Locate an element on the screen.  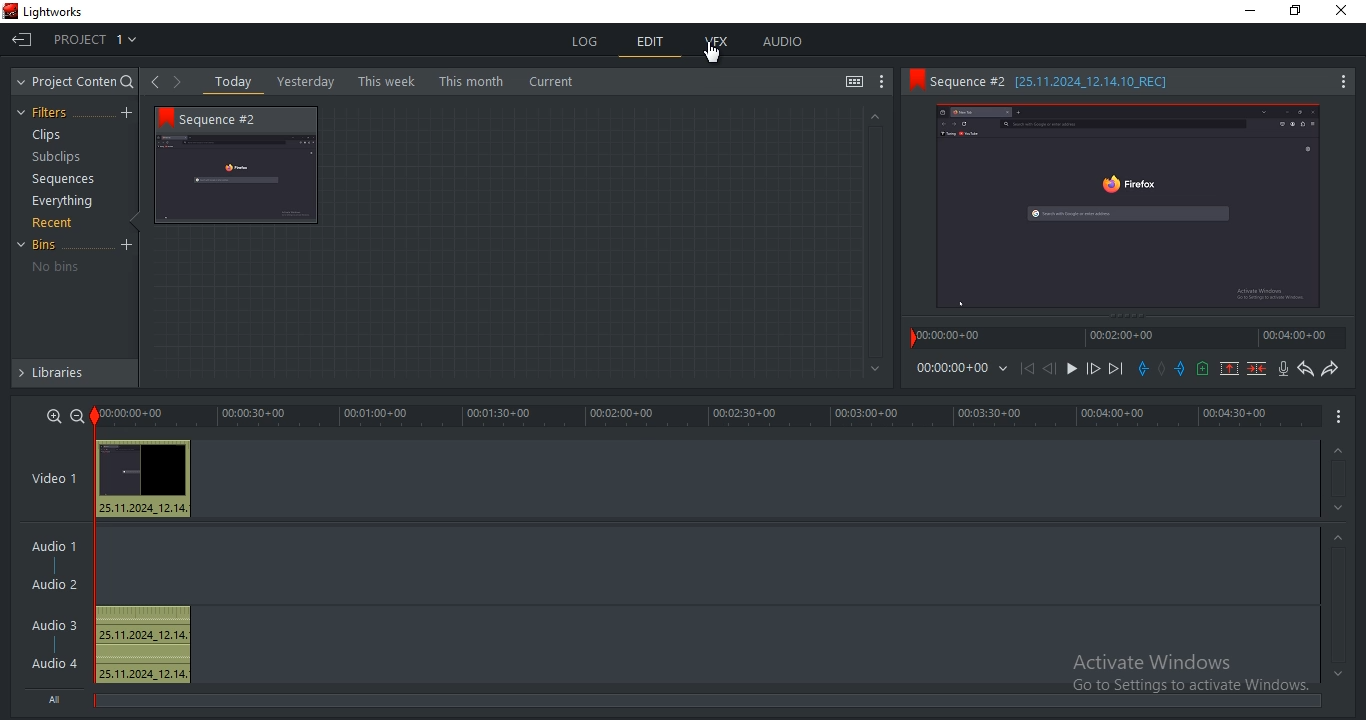
libraries is located at coordinates (75, 373).